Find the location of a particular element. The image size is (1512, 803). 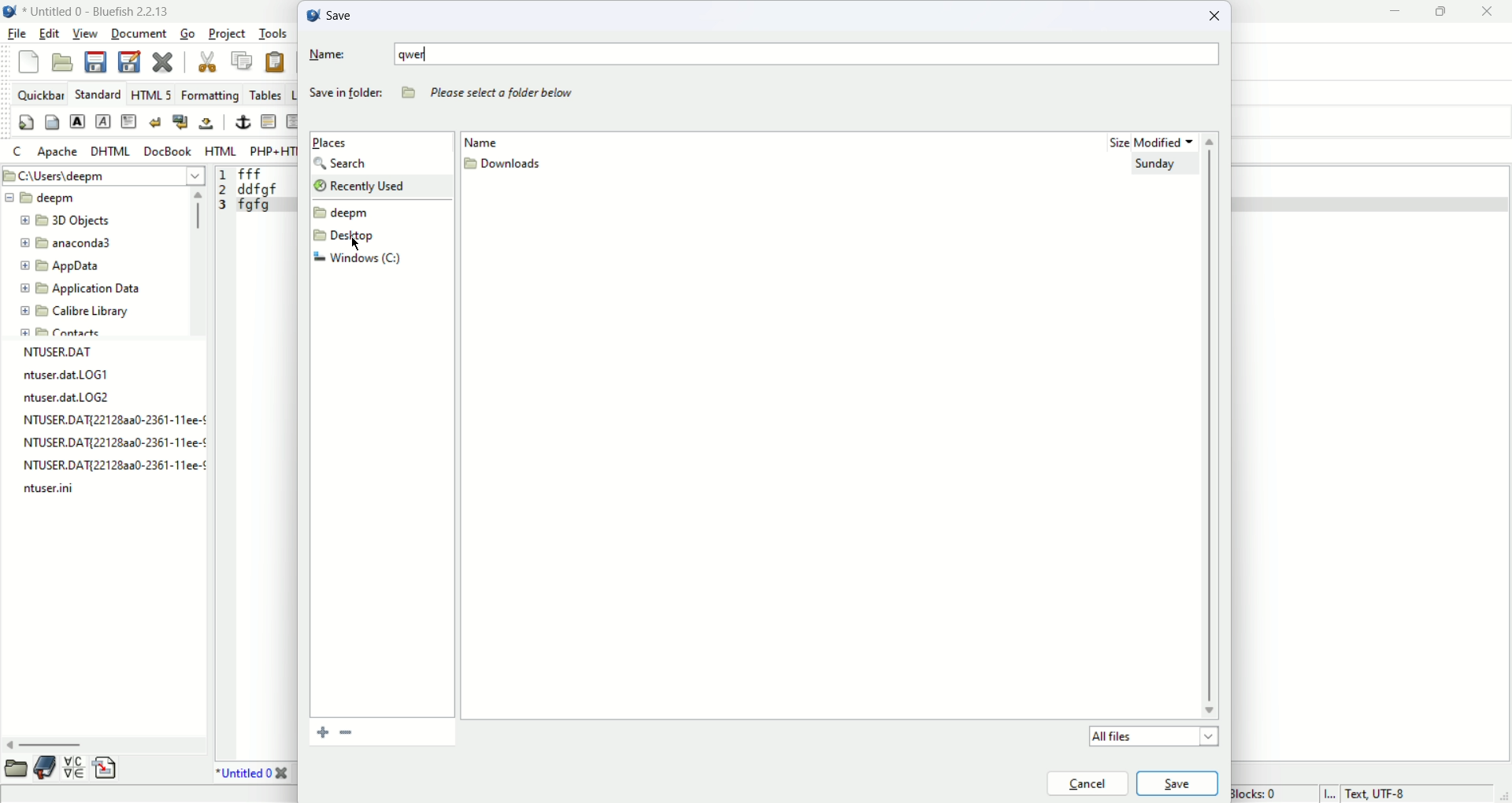

downloads is located at coordinates (505, 166).